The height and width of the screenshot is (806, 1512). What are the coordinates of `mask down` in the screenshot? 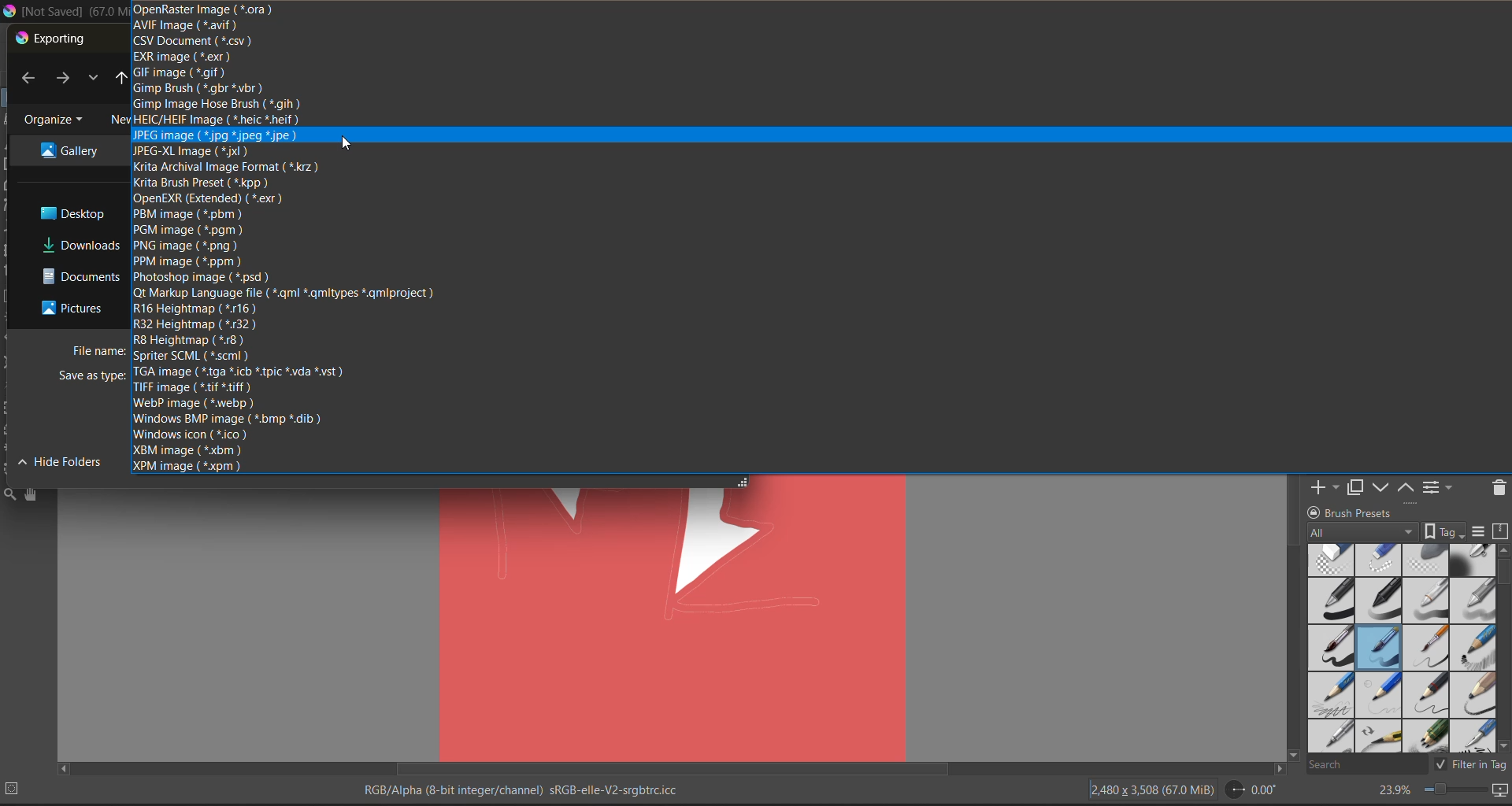 It's located at (1384, 487).